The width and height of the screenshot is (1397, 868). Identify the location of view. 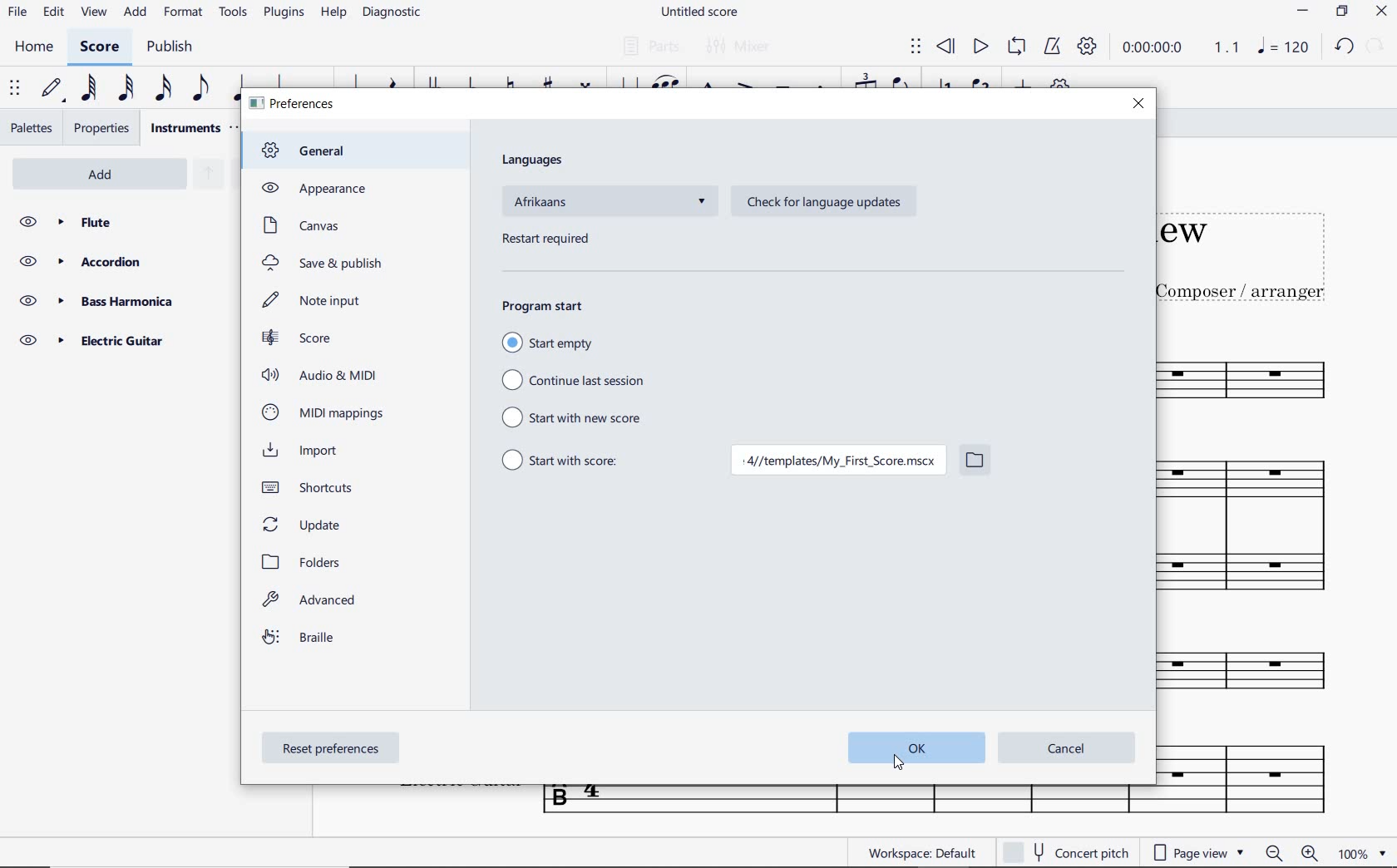
(91, 16).